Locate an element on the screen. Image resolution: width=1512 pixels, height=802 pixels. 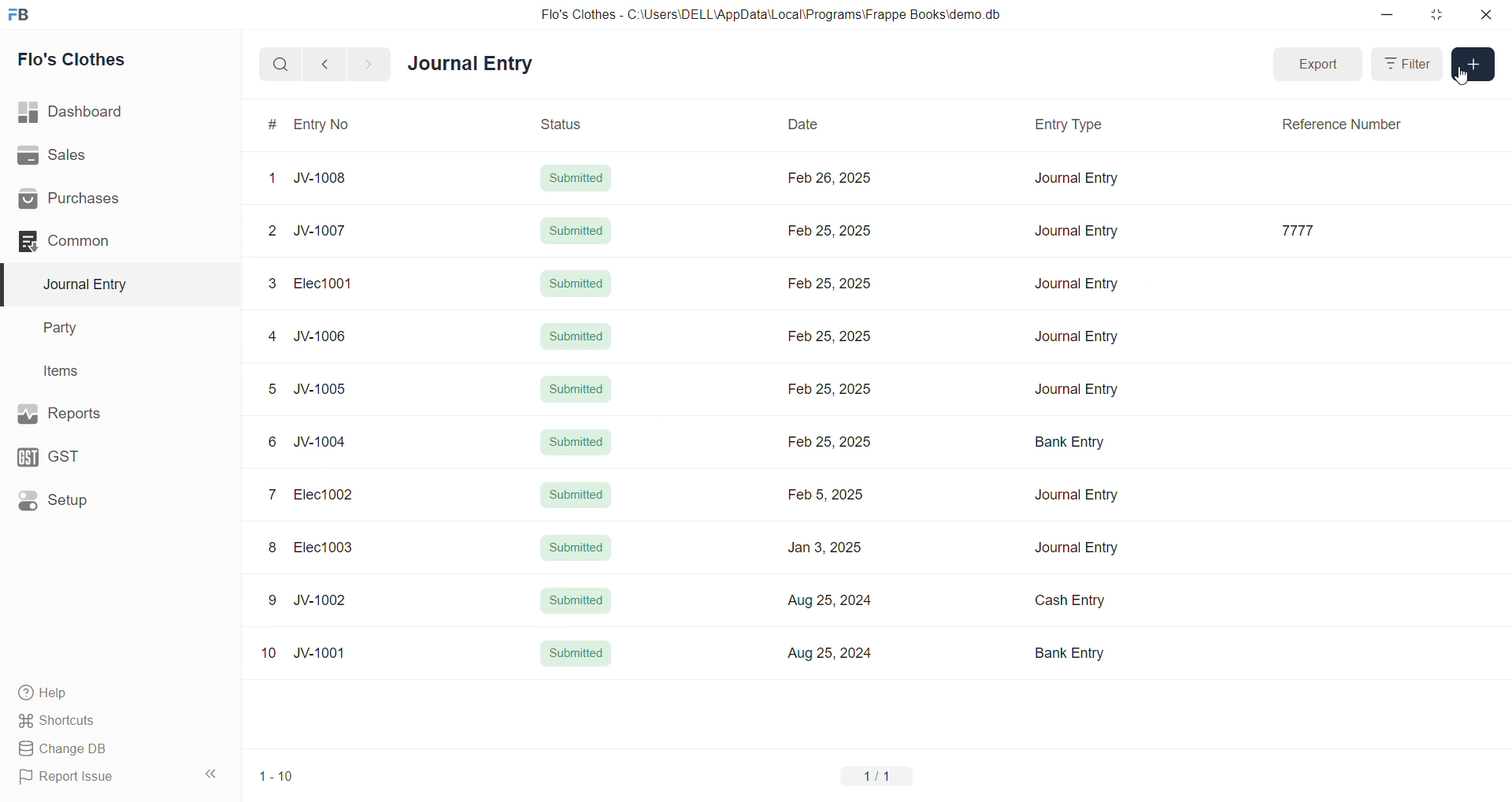
selected is located at coordinates (9, 284).